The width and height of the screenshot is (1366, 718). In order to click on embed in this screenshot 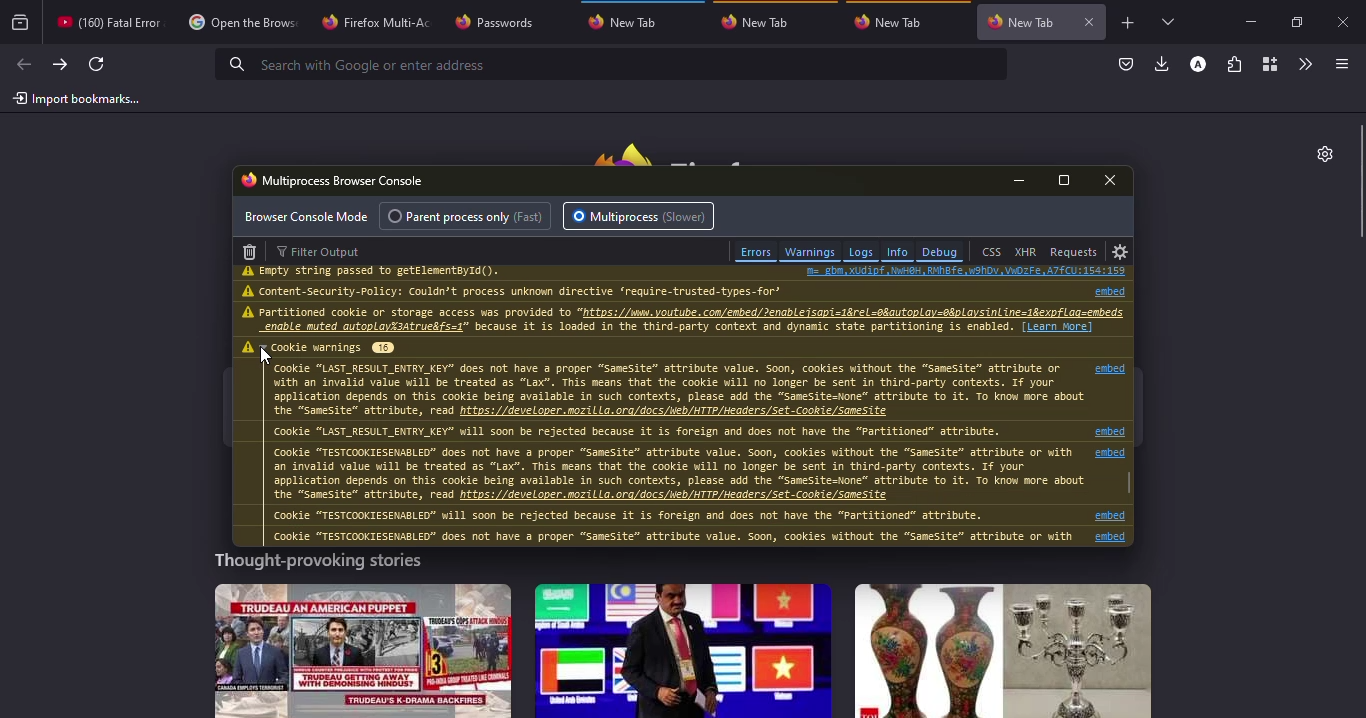, I will do `click(1112, 454)`.